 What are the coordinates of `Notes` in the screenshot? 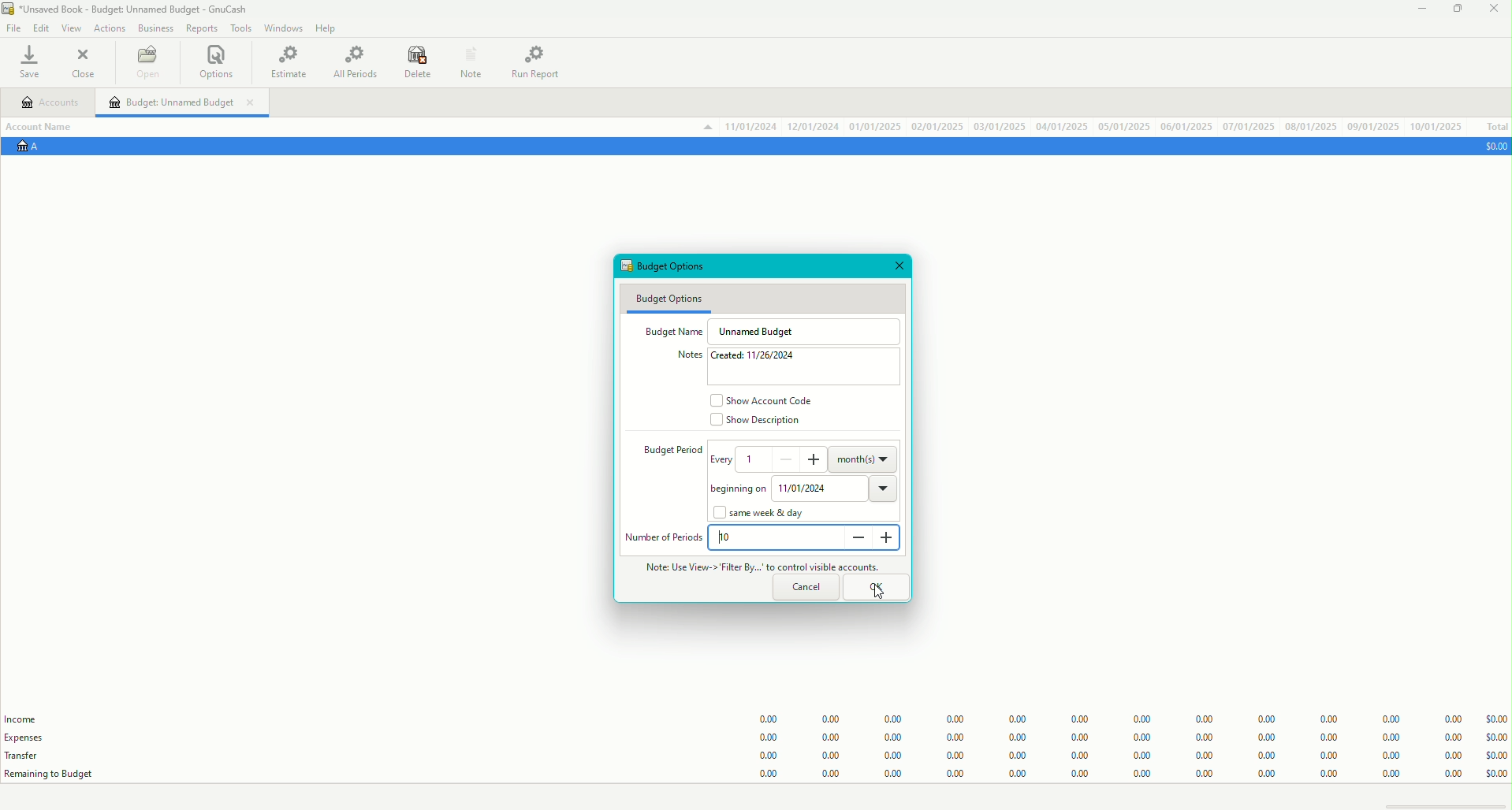 It's located at (469, 61).